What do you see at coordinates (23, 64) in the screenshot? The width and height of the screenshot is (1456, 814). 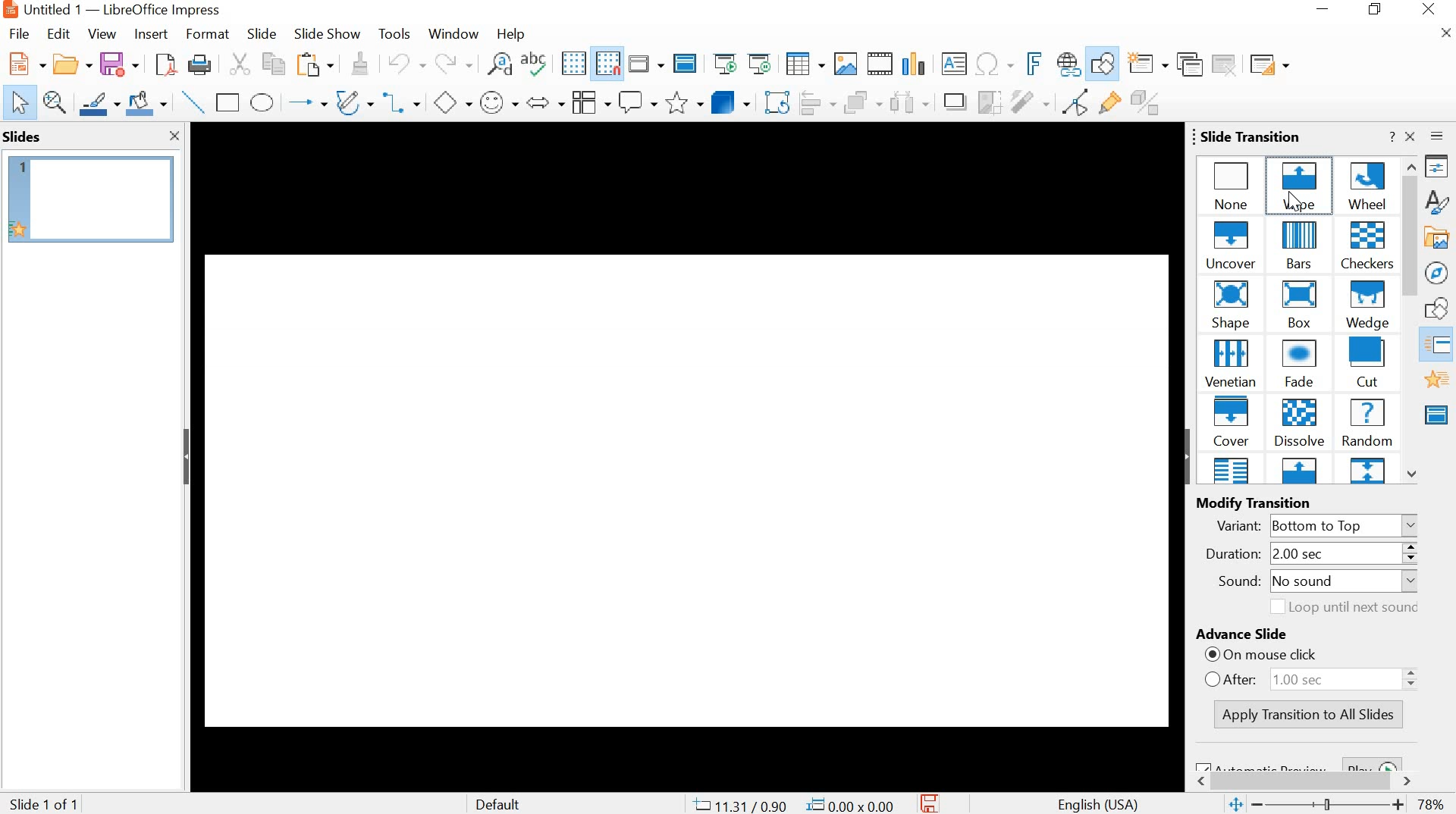 I see `NEW` at bounding box center [23, 64].